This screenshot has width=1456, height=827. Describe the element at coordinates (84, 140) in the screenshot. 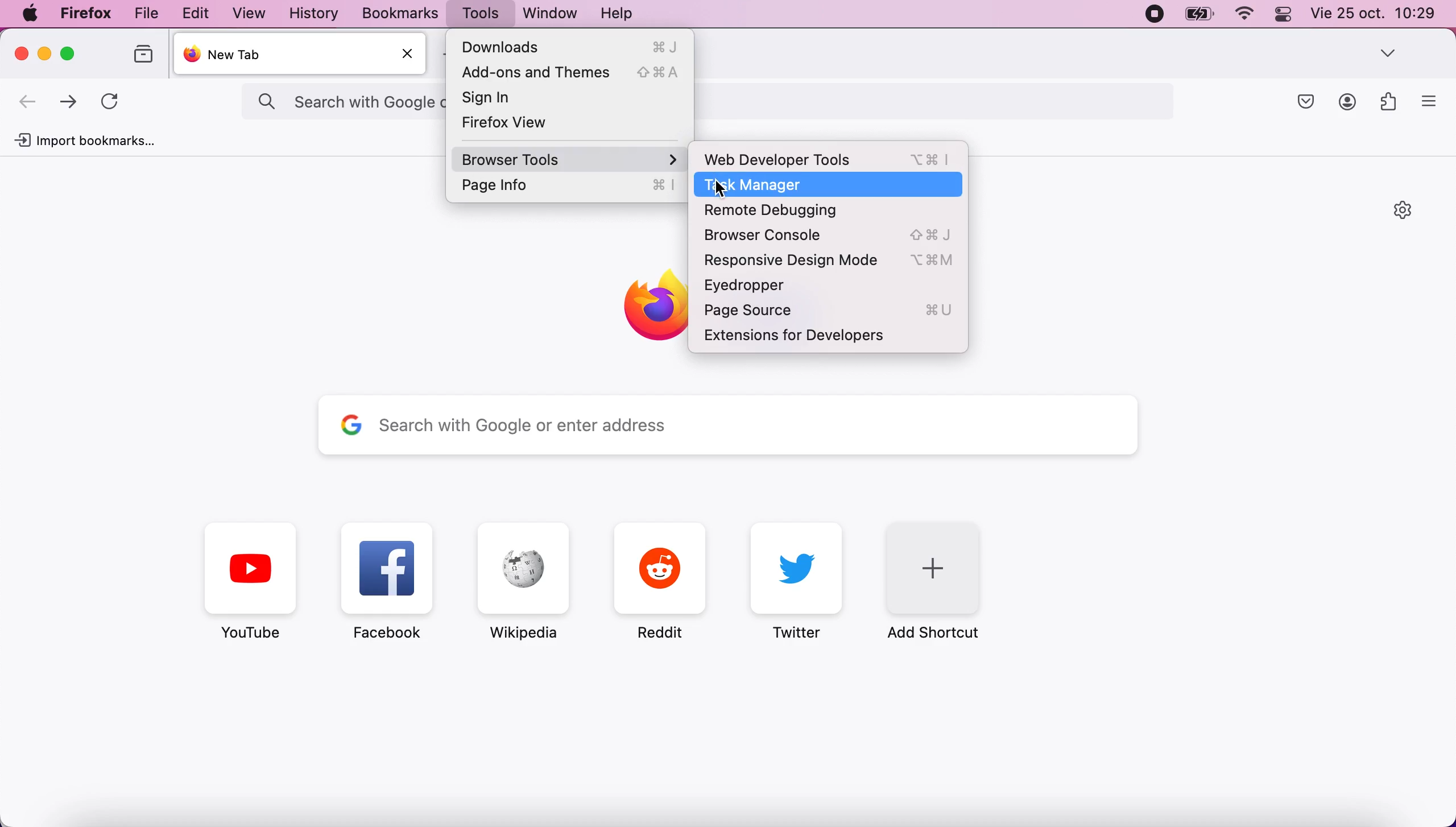

I see `Import Bookmarks` at that location.